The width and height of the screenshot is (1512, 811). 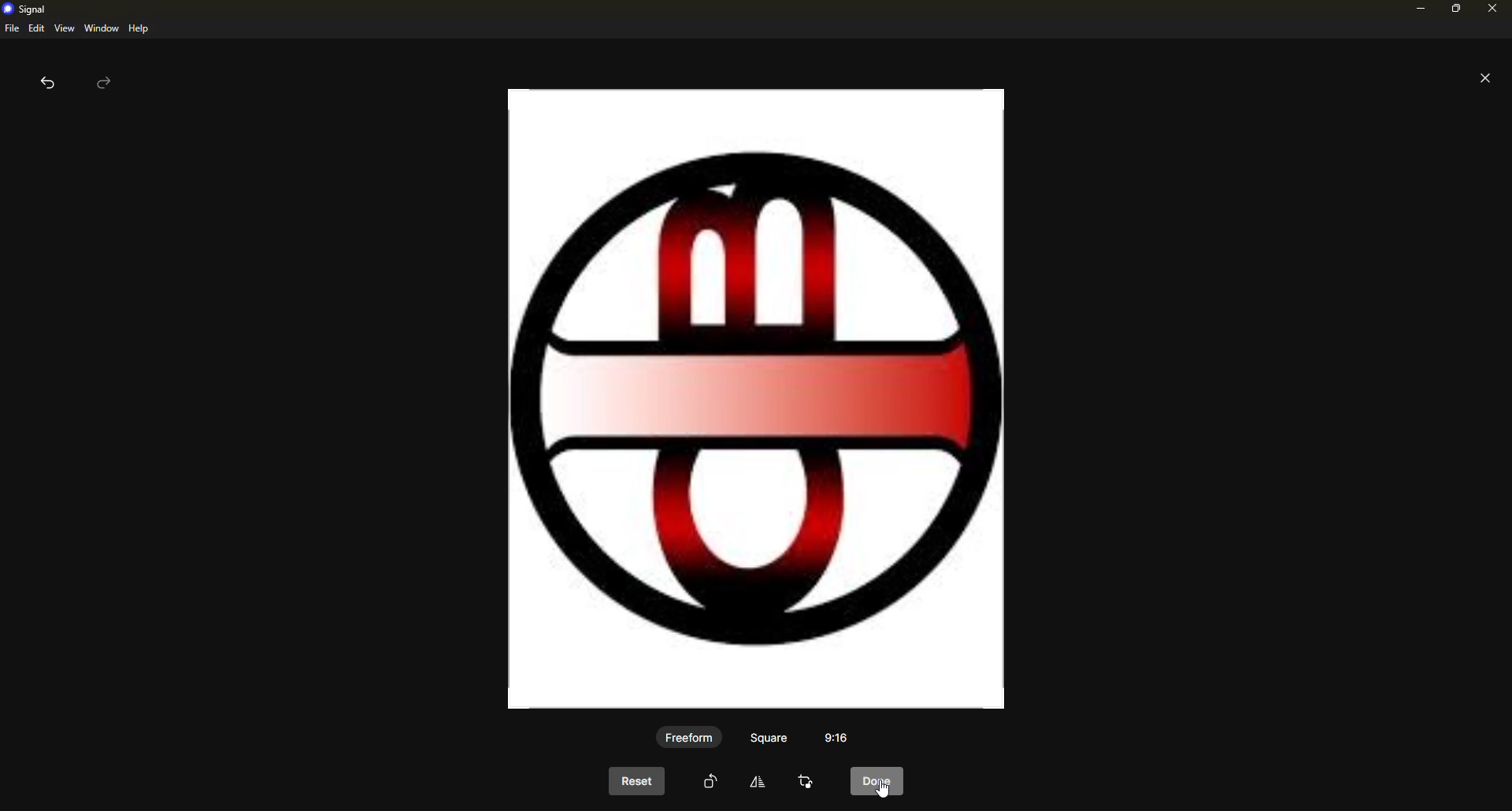 What do you see at coordinates (25, 10) in the screenshot?
I see `signal` at bounding box center [25, 10].